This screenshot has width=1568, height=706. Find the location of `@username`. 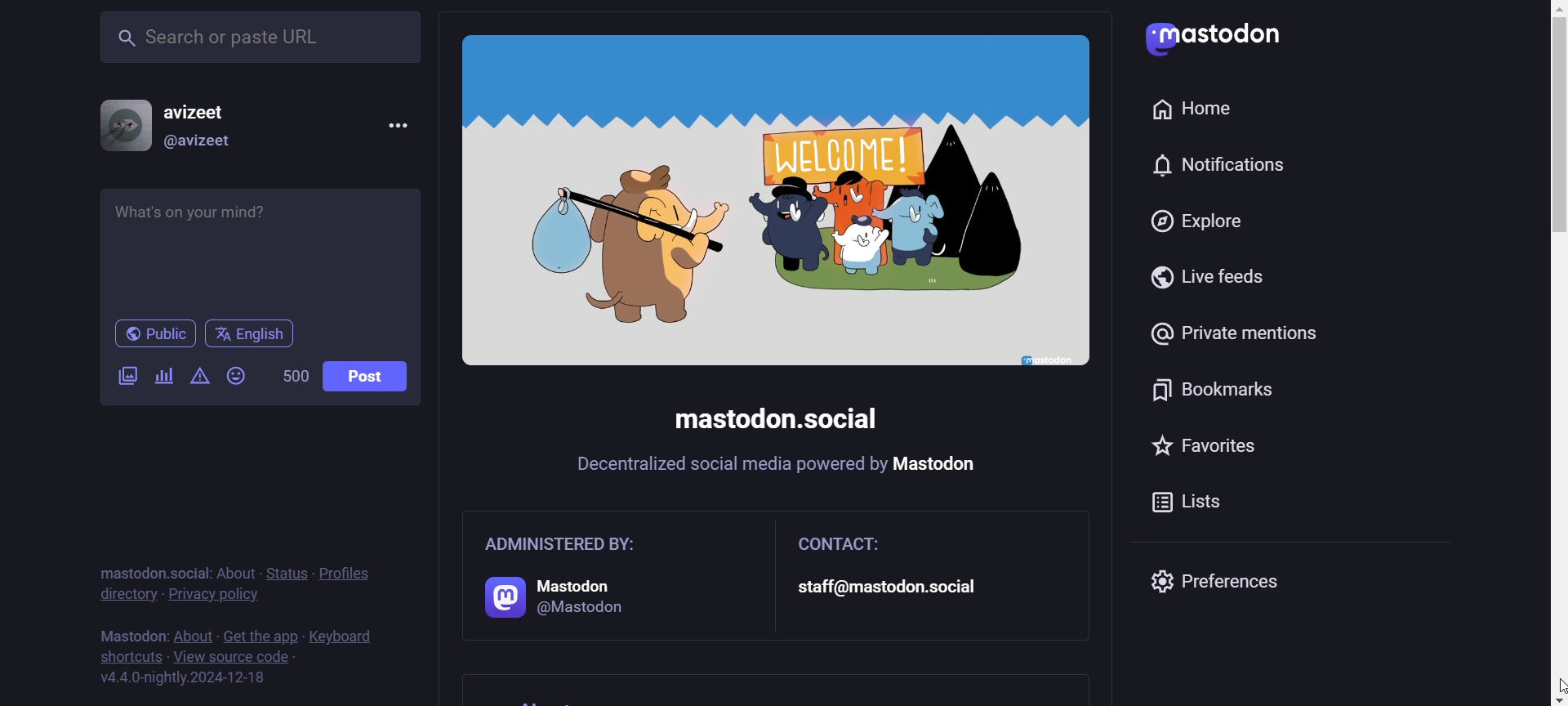

@username is located at coordinates (199, 145).